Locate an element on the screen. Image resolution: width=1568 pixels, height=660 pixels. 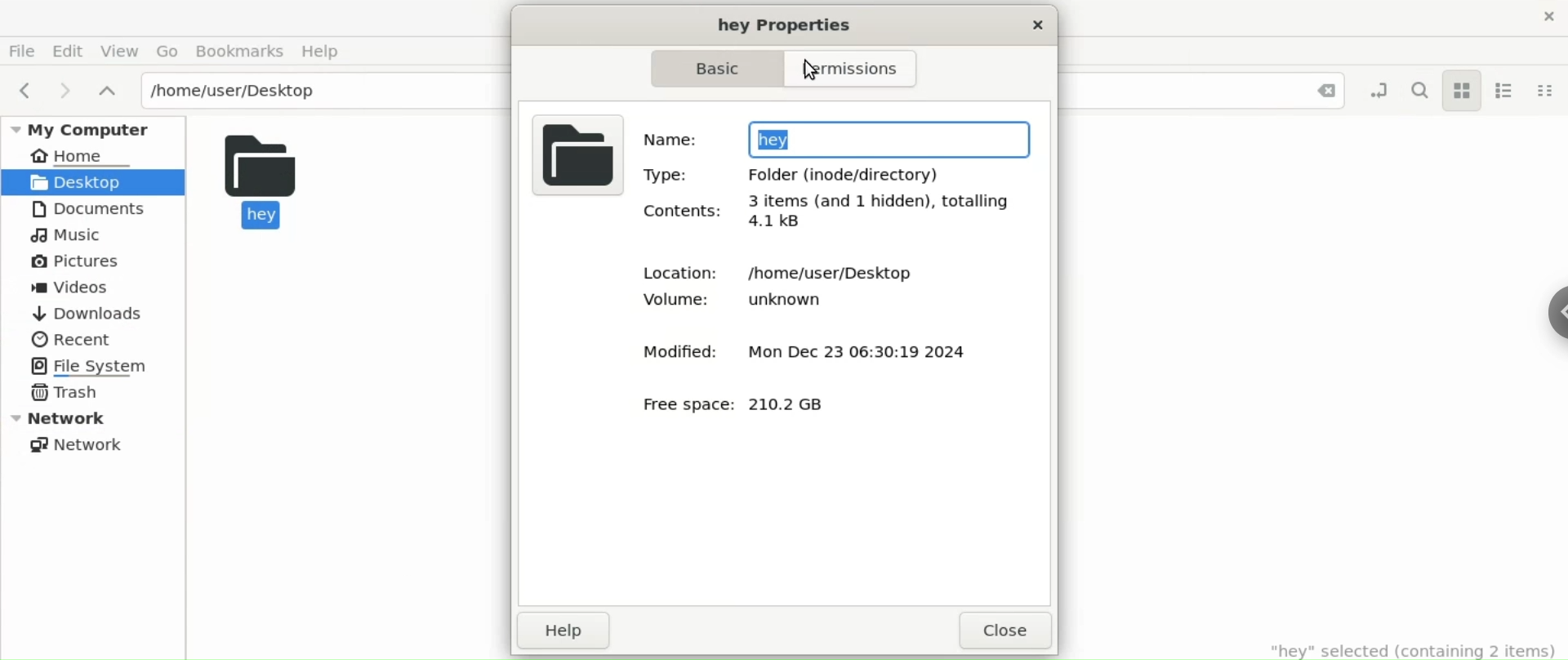
next is located at coordinates (60, 89).